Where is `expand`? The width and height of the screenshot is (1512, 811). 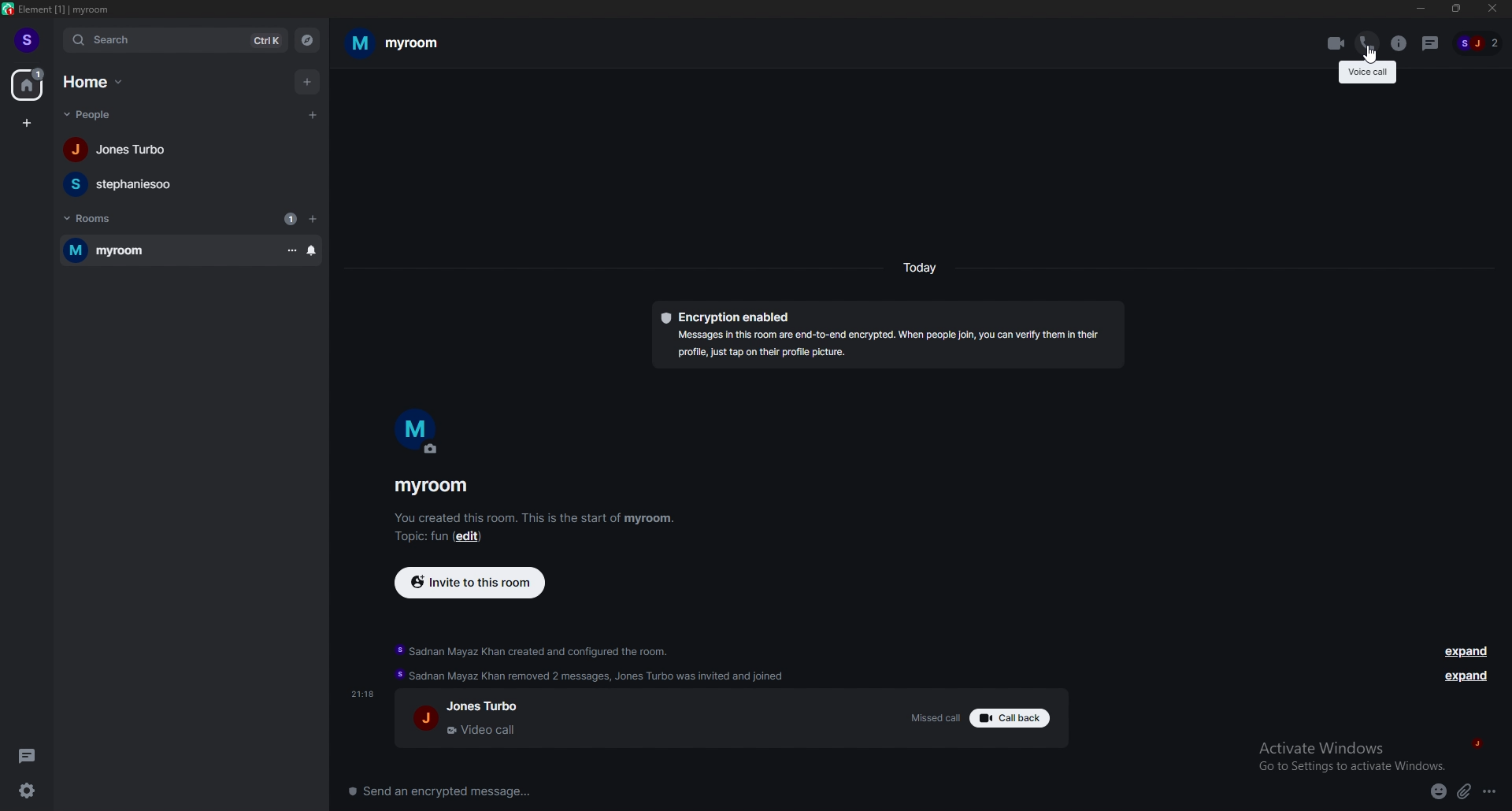
expand is located at coordinates (1464, 651).